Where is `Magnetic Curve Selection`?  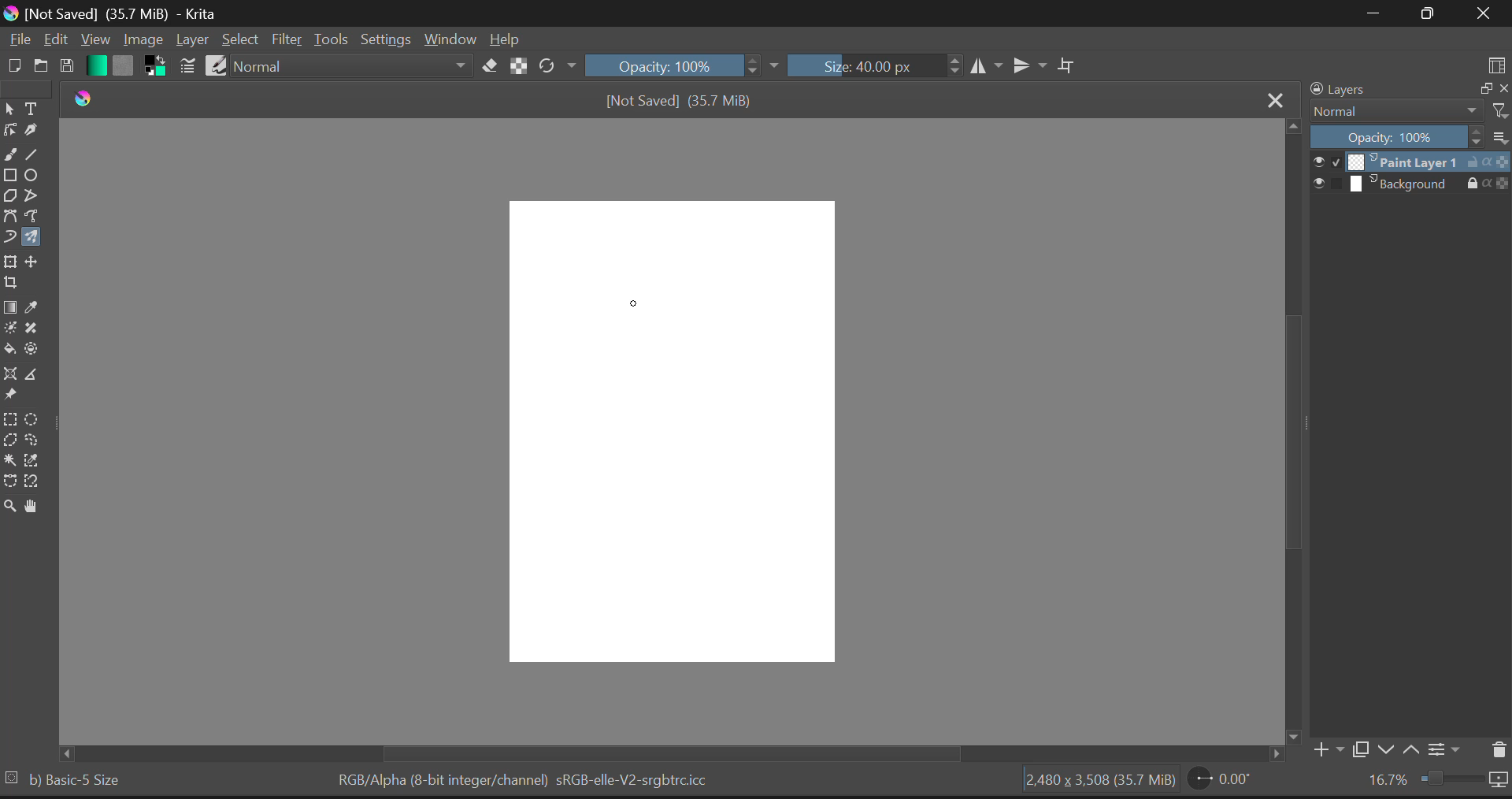 Magnetic Curve Selection is located at coordinates (32, 481).